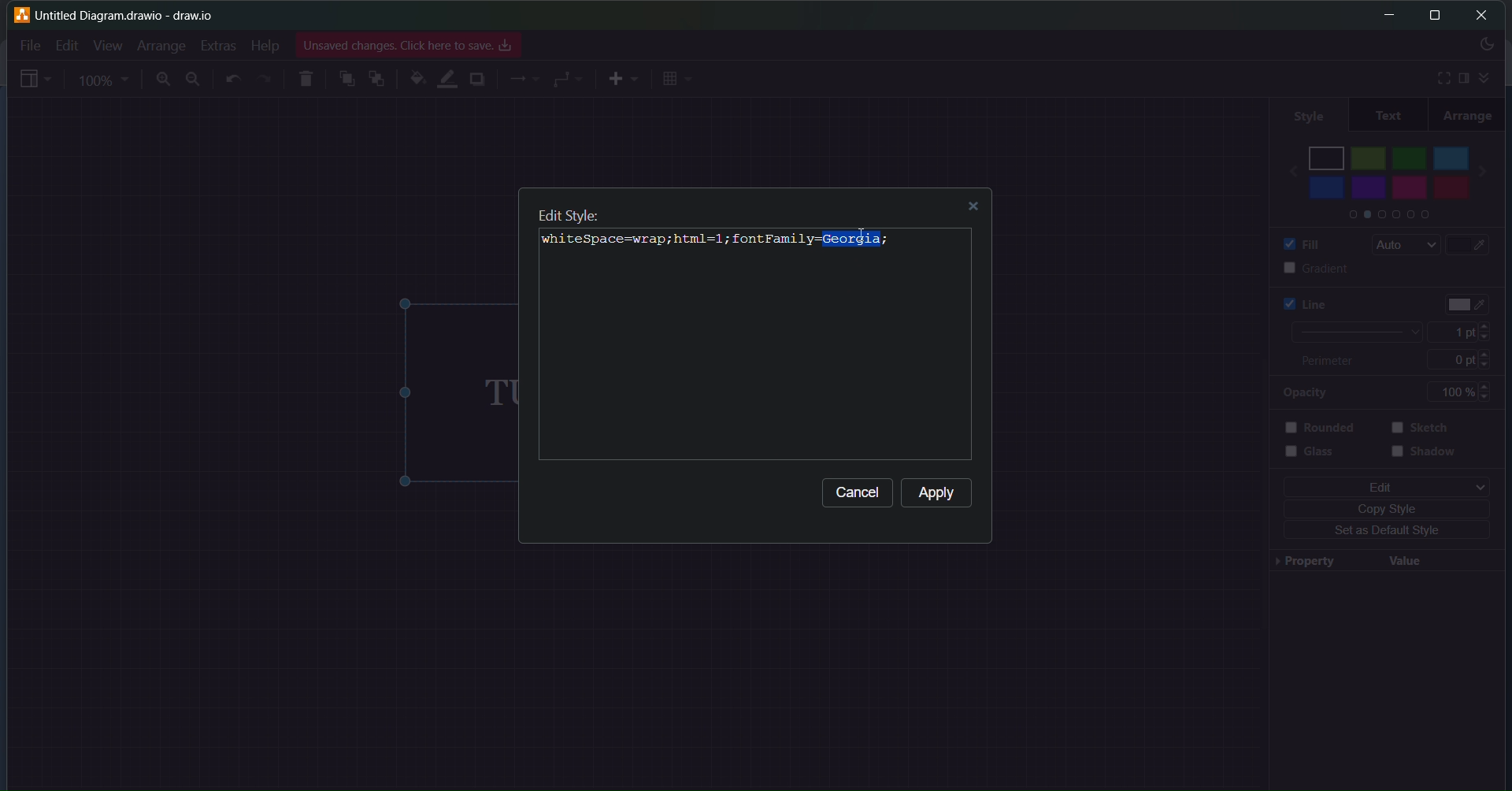 This screenshot has height=791, width=1512. Describe the element at coordinates (714, 243) in the screenshot. I see `whi teSpace=wrap;html=1; fontFamily=Geordia;` at that location.